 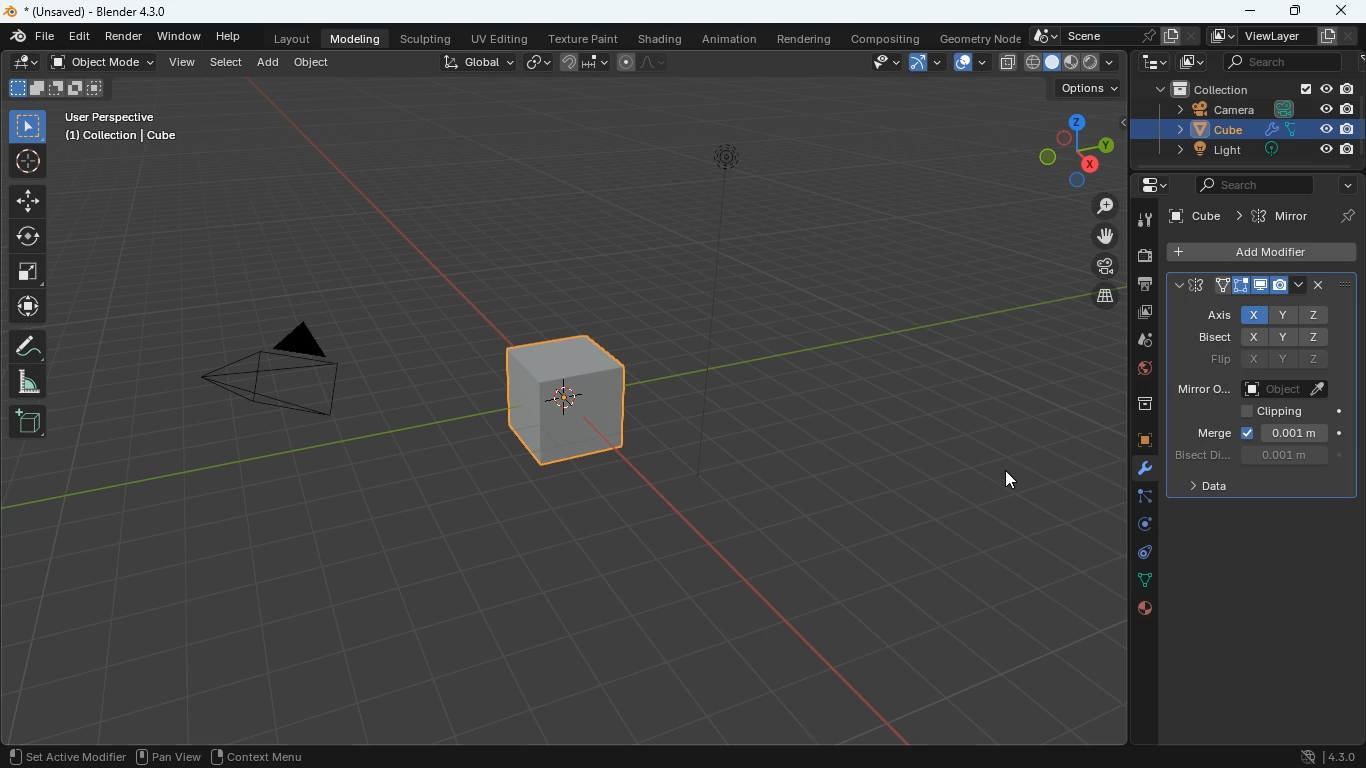 What do you see at coordinates (1200, 388) in the screenshot?
I see `Mirror ` at bounding box center [1200, 388].